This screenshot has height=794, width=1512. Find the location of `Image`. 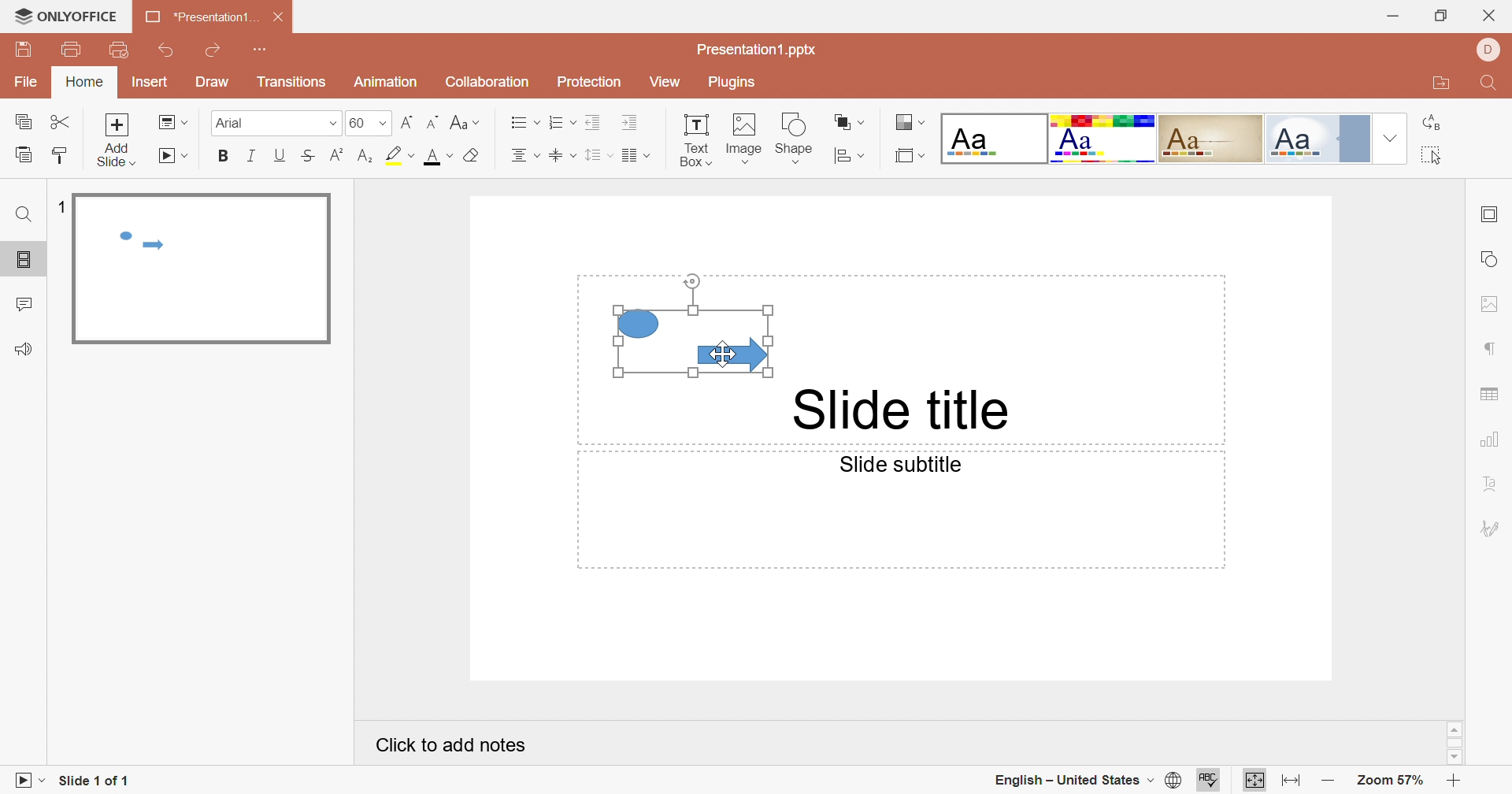

Image is located at coordinates (746, 139).